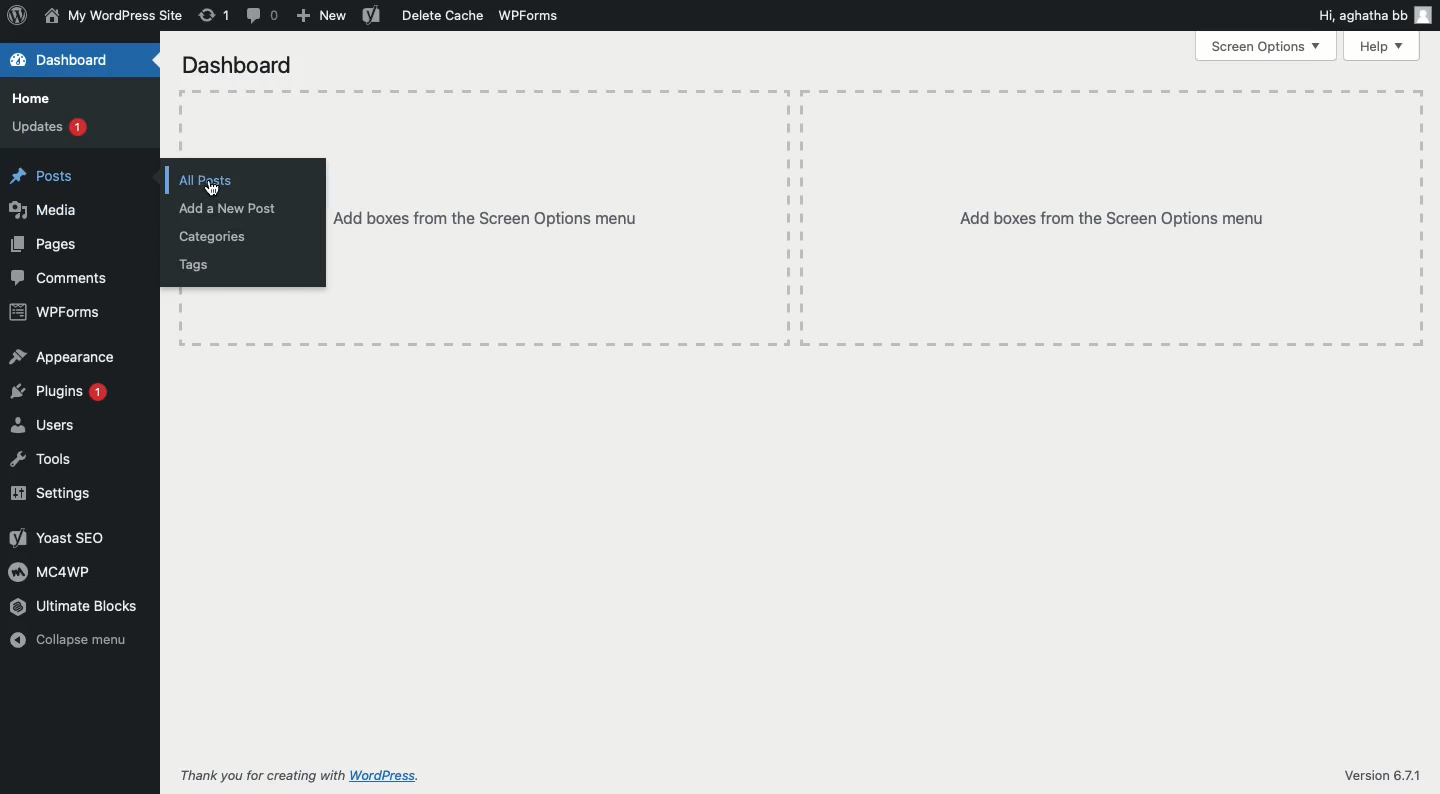 This screenshot has height=794, width=1440. What do you see at coordinates (43, 172) in the screenshot?
I see `Posts` at bounding box center [43, 172].